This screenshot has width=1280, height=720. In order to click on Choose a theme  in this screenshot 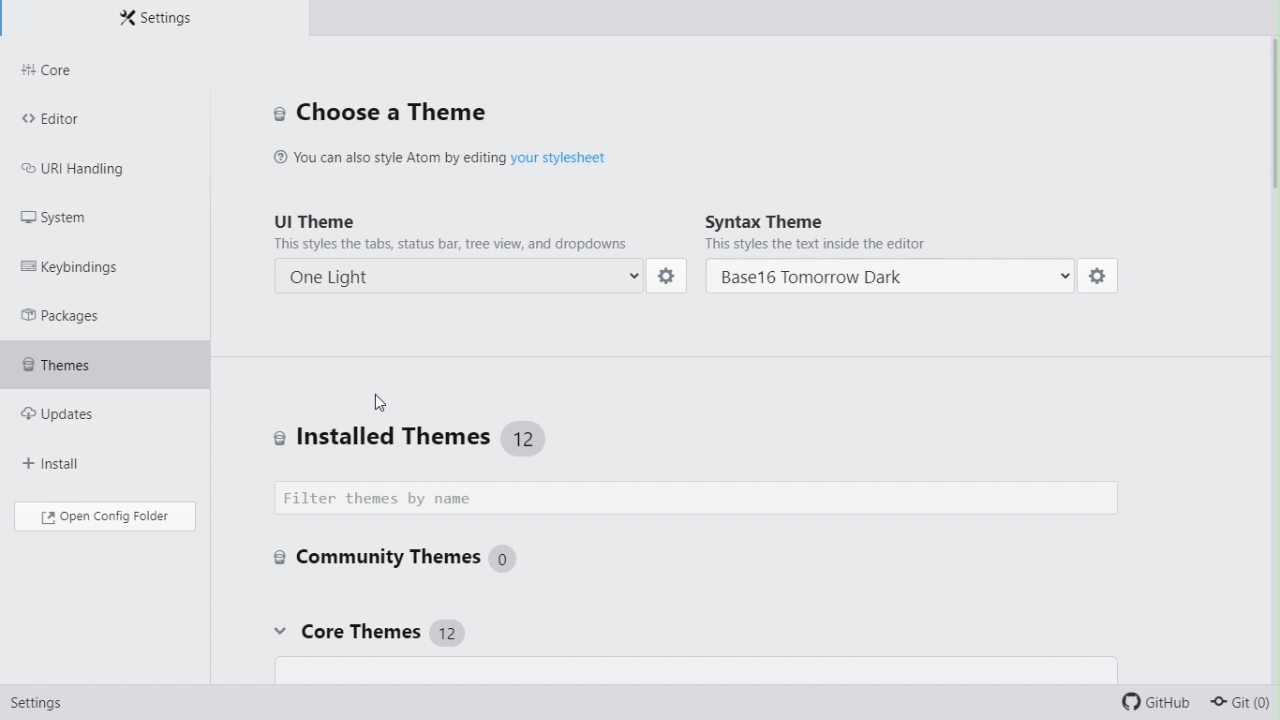, I will do `click(431, 110)`.